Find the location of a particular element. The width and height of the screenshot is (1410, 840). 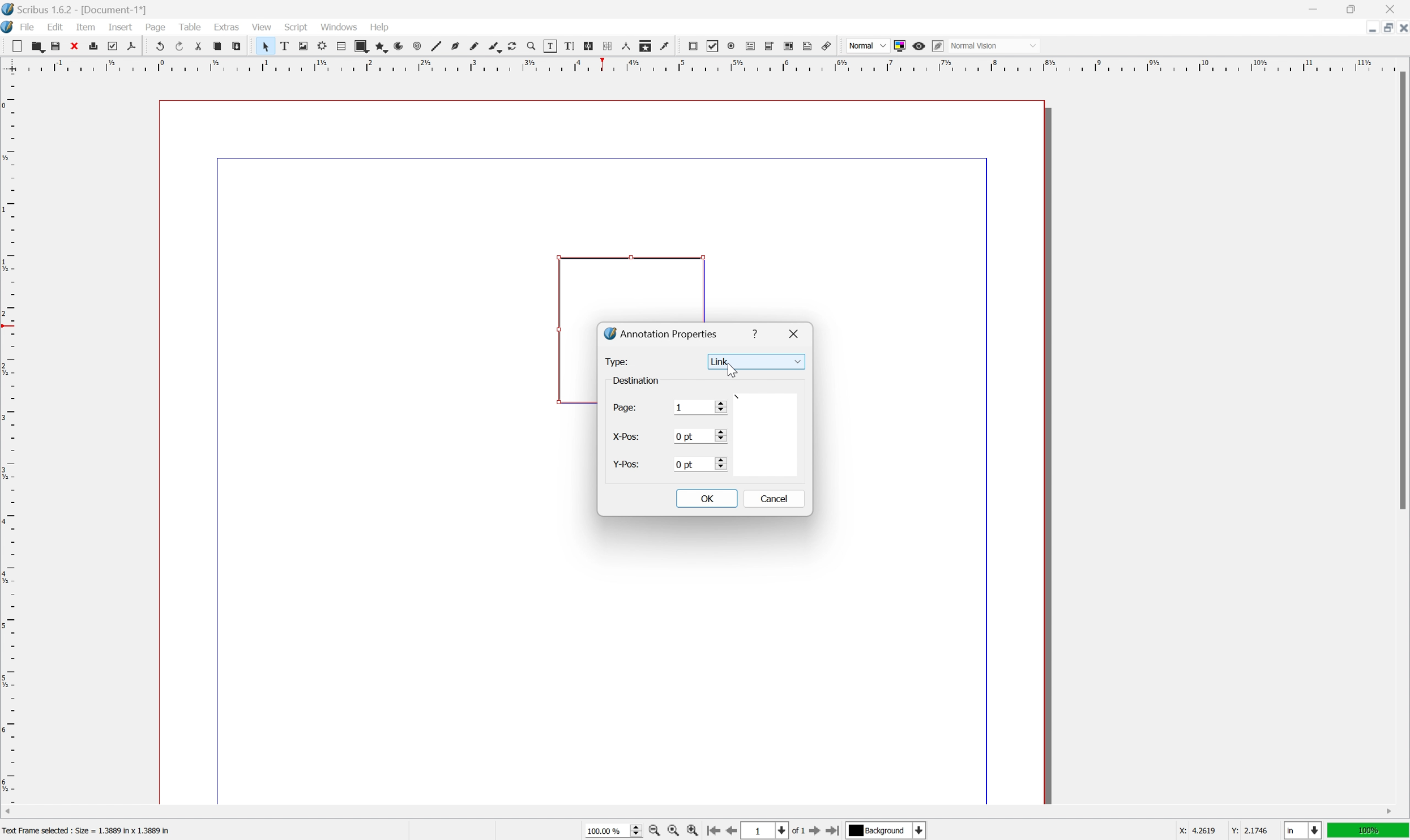

scroll bar is located at coordinates (1401, 290).